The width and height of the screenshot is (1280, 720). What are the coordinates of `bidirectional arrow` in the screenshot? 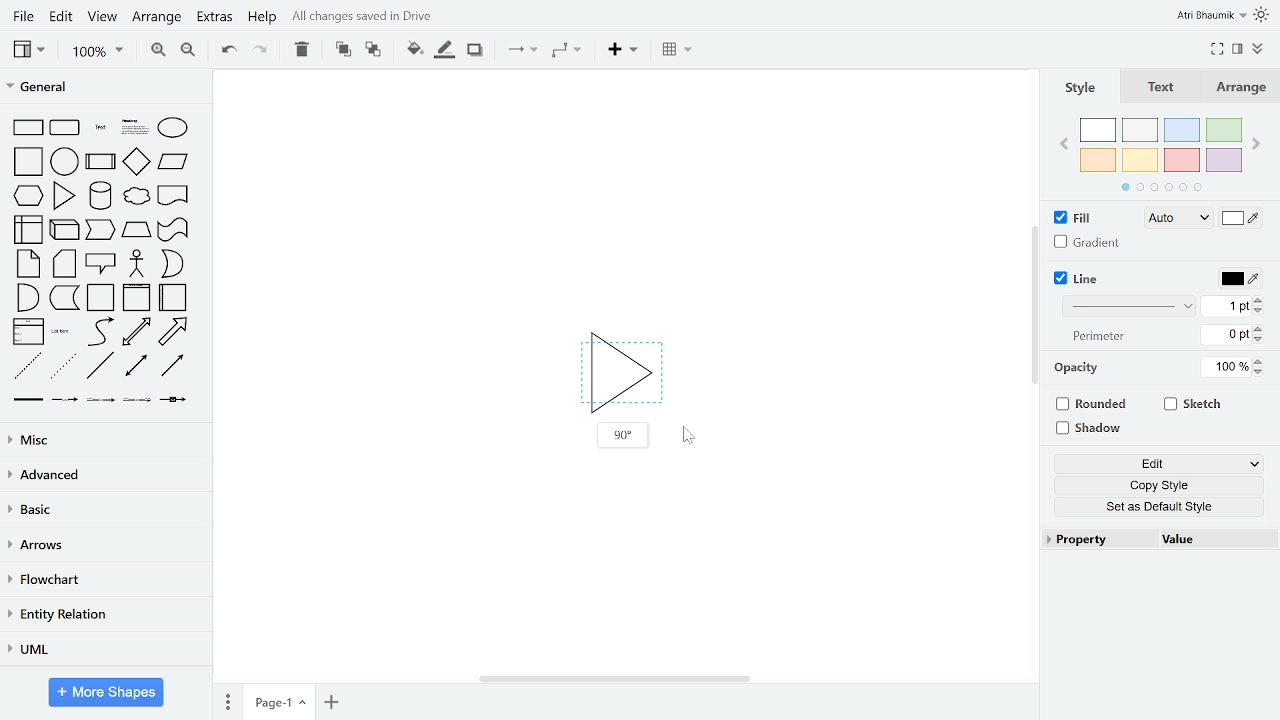 It's located at (136, 332).